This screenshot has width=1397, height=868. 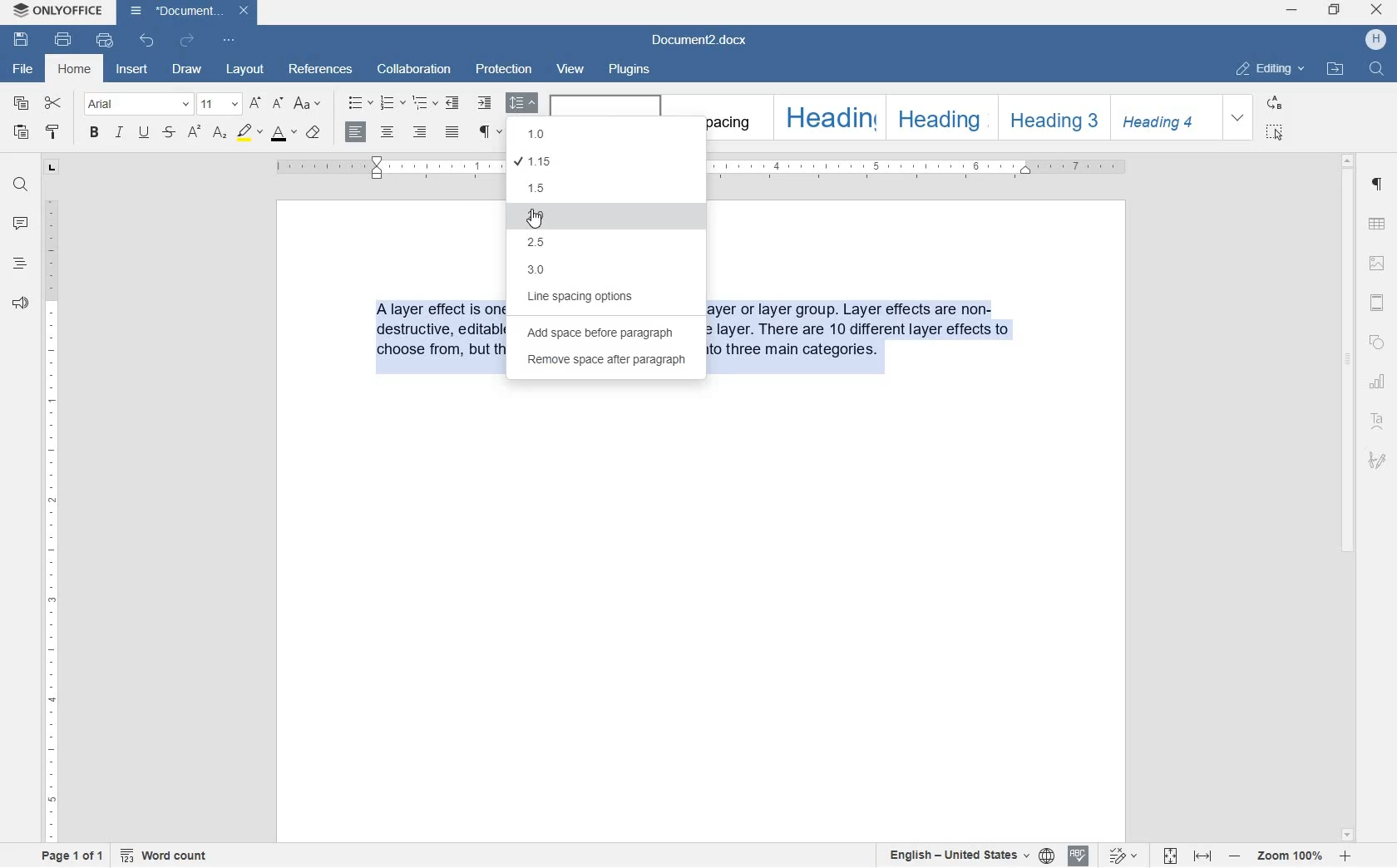 What do you see at coordinates (283, 134) in the screenshot?
I see `font color` at bounding box center [283, 134].